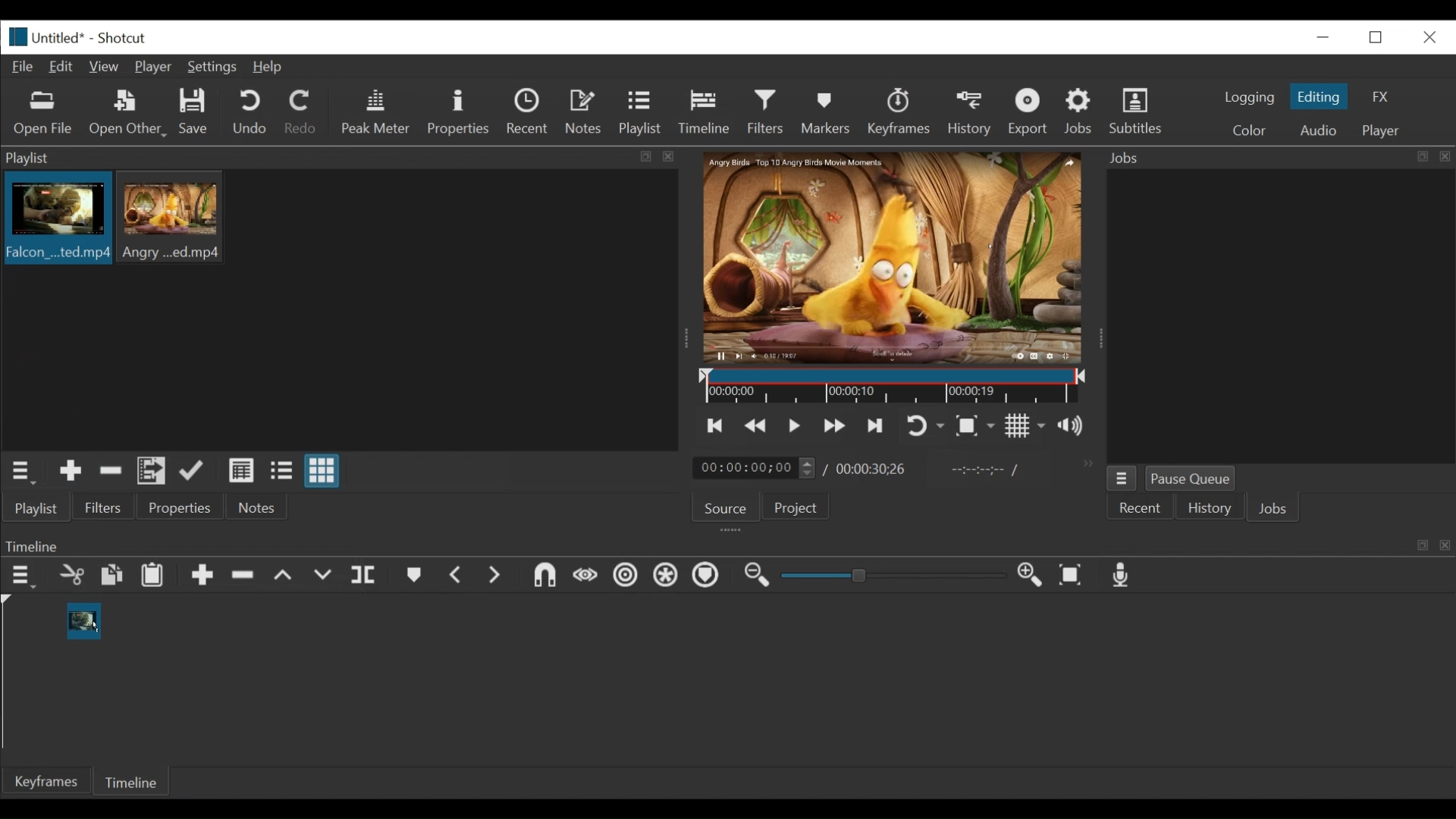  Describe the element at coordinates (829, 111) in the screenshot. I see `Markers` at that location.